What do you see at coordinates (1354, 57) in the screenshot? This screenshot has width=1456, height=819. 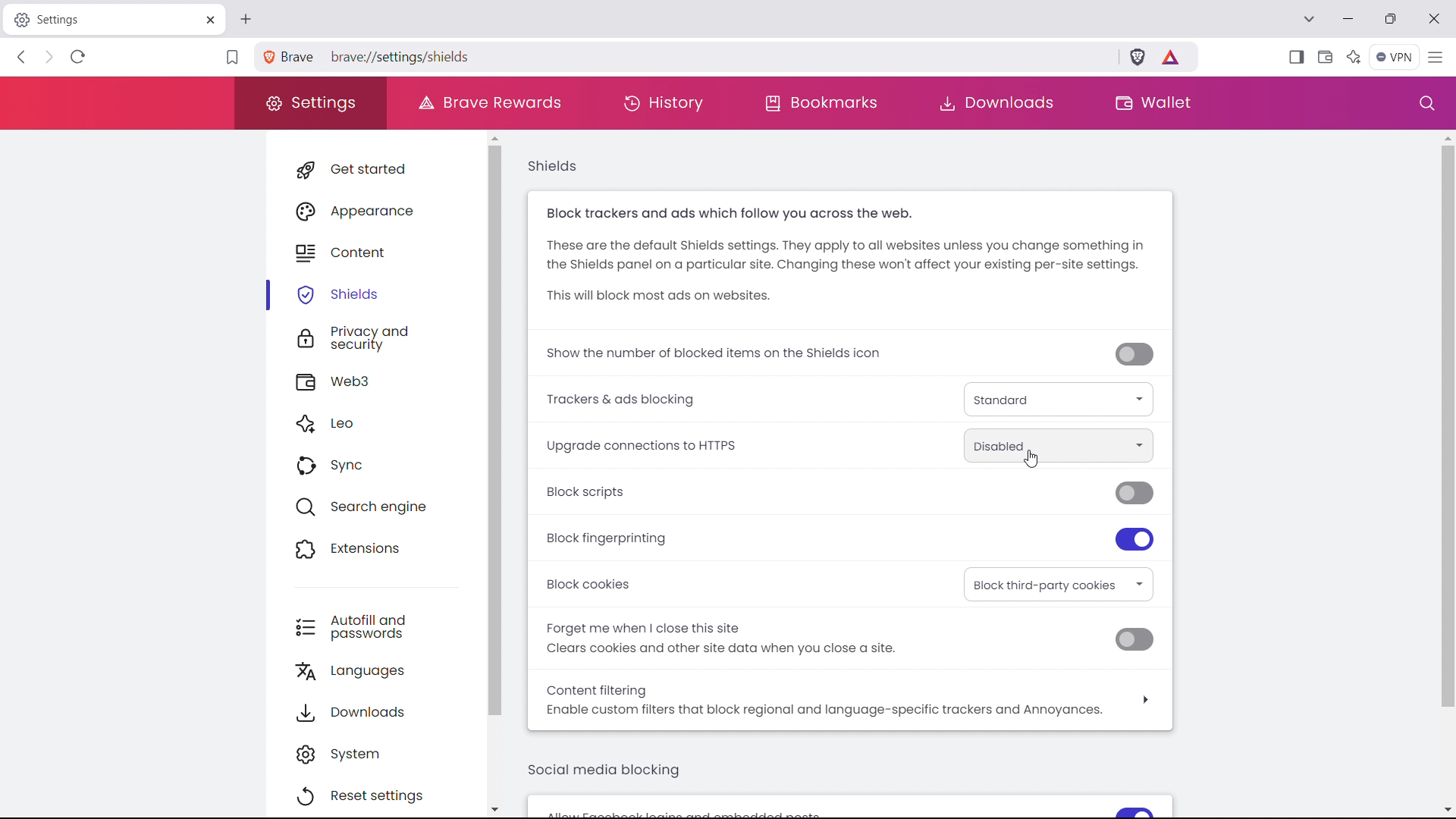 I see `leo AI` at bounding box center [1354, 57].